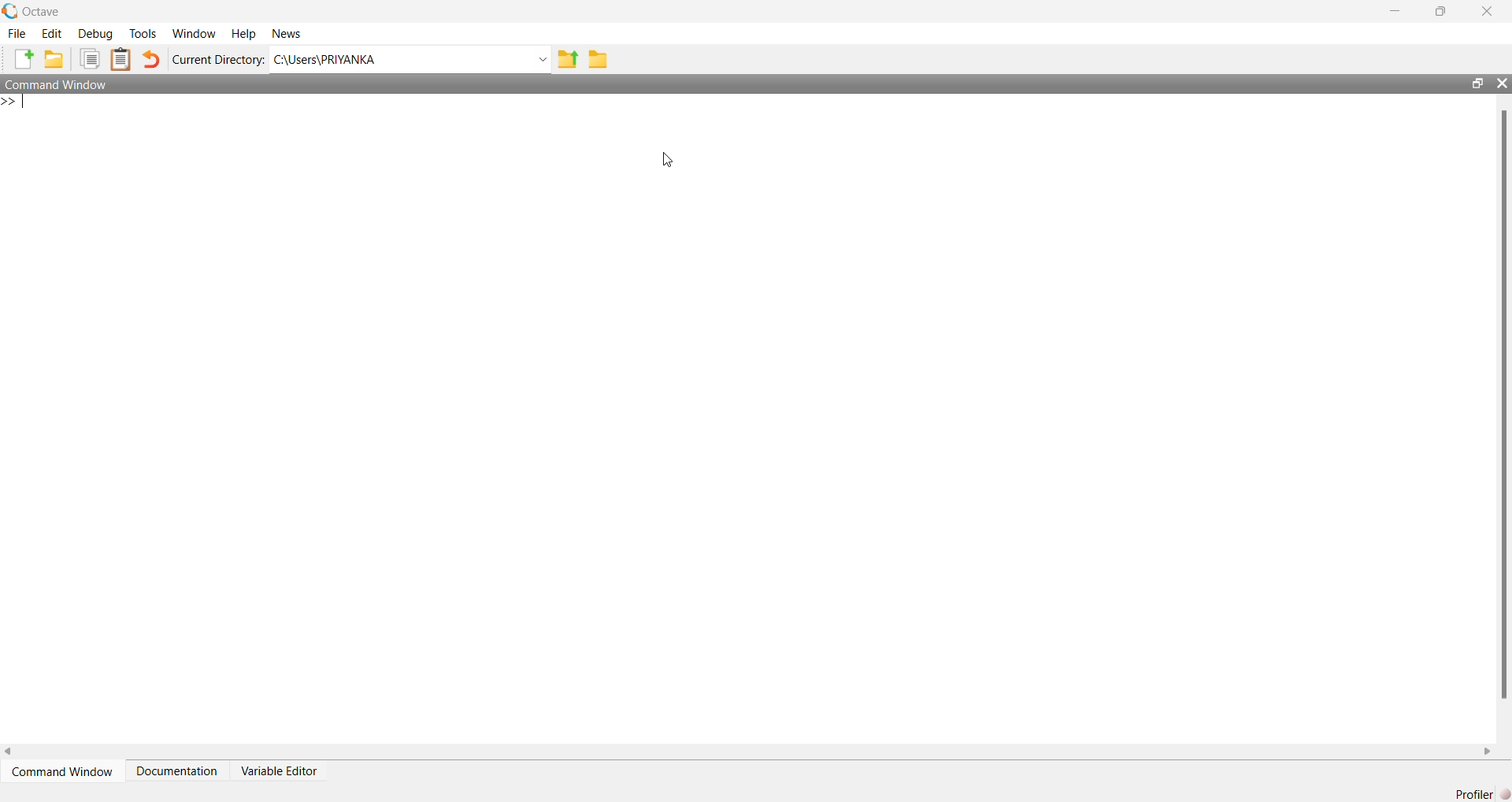  What do you see at coordinates (41, 11) in the screenshot?
I see `Octave` at bounding box center [41, 11].